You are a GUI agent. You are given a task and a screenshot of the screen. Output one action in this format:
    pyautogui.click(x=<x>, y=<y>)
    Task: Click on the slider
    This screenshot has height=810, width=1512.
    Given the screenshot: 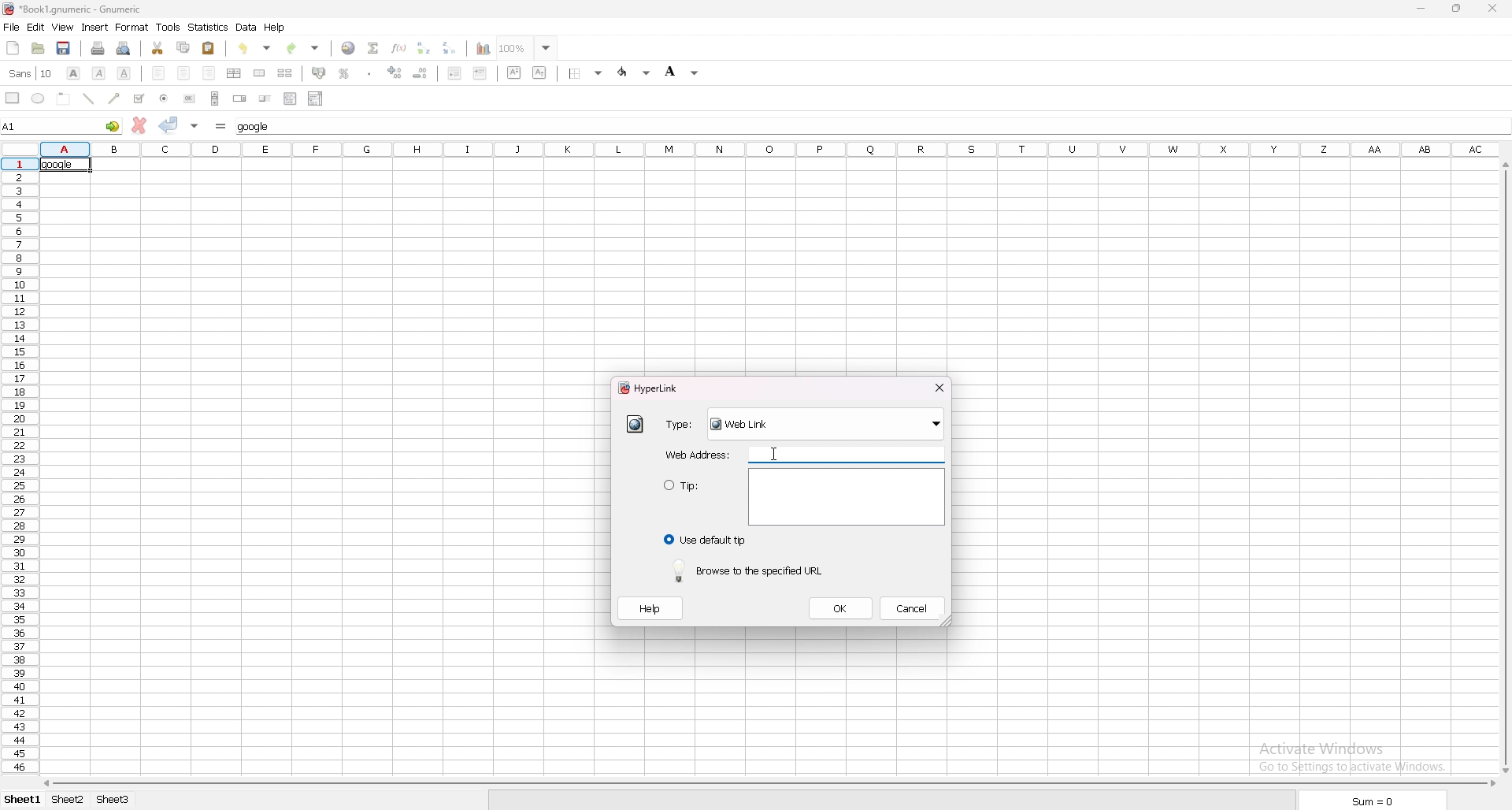 What is the action you would take?
    pyautogui.click(x=265, y=98)
    